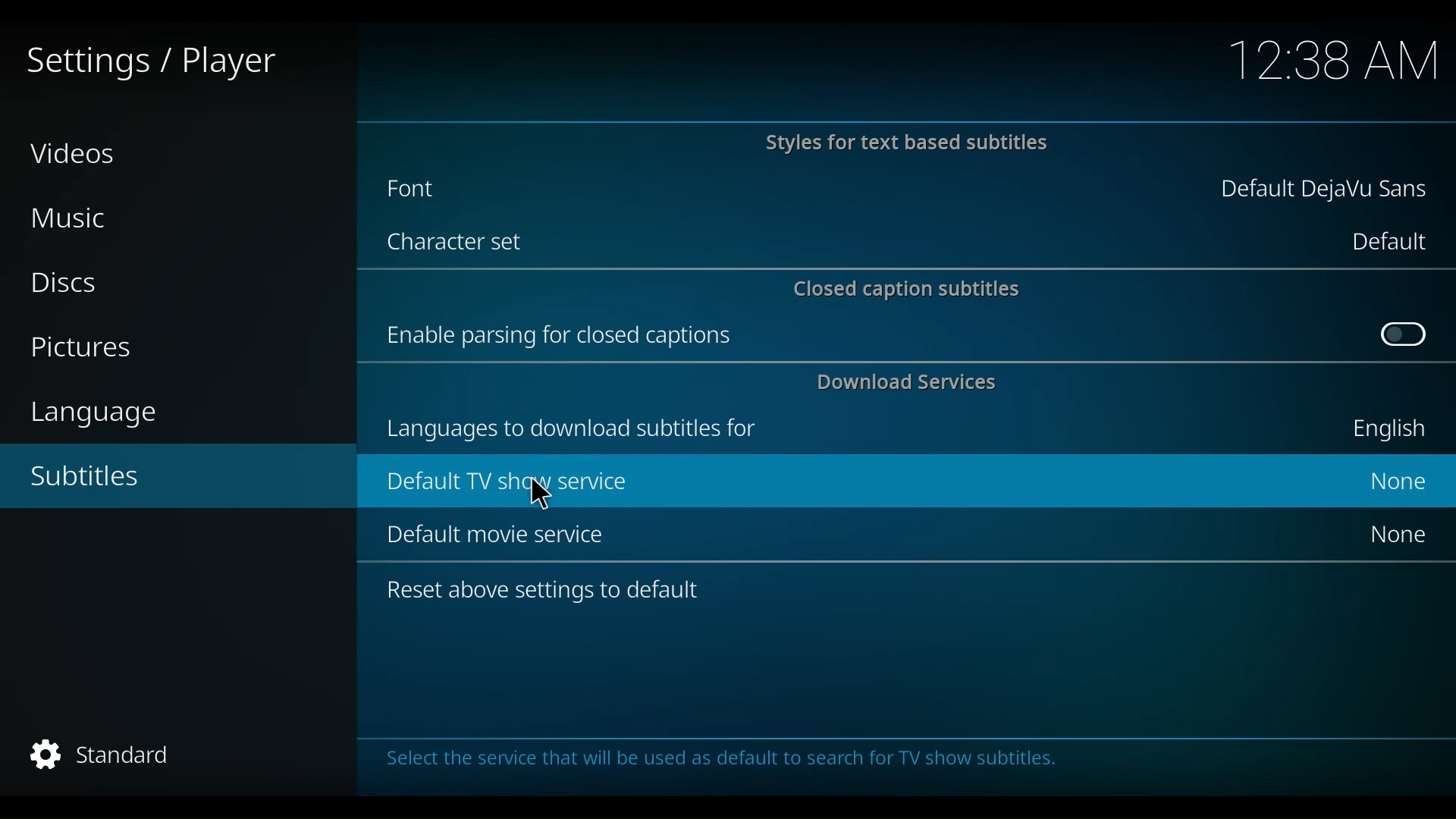 The height and width of the screenshot is (819, 1456). Describe the element at coordinates (547, 591) in the screenshot. I see `Reset above settings to default` at that location.